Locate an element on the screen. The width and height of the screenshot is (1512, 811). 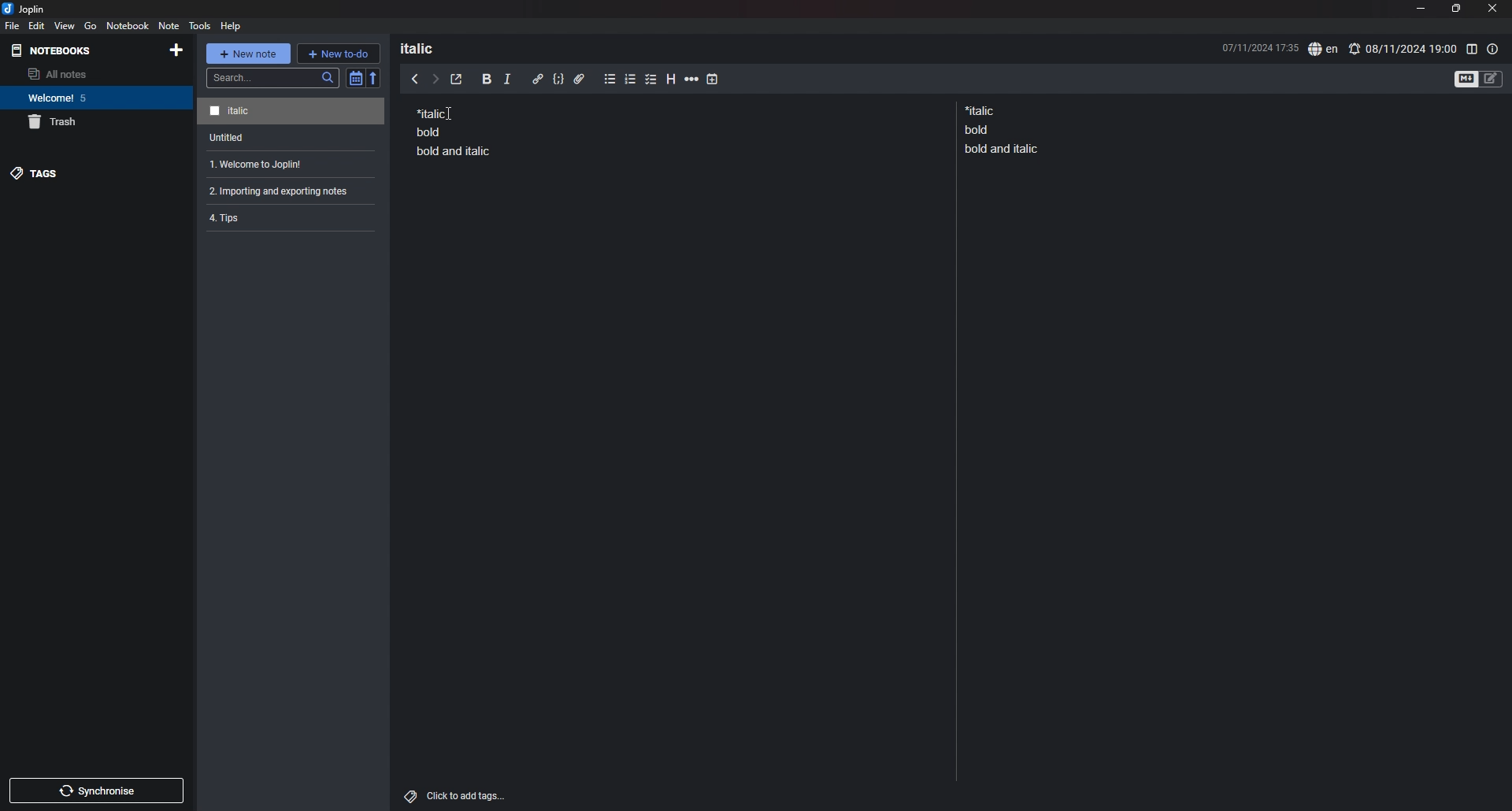
minimize is located at coordinates (1420, 8).